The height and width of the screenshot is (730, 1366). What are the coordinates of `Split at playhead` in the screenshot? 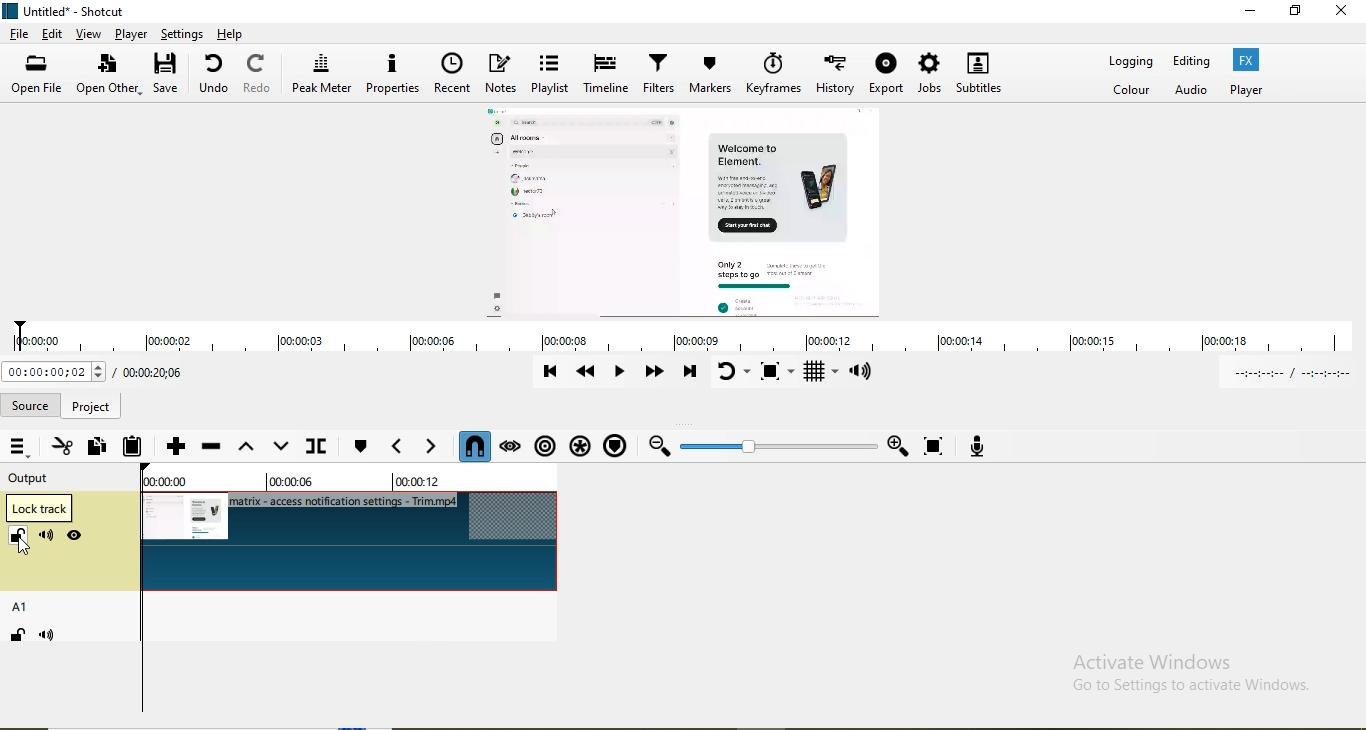 It's located at (320, 442).